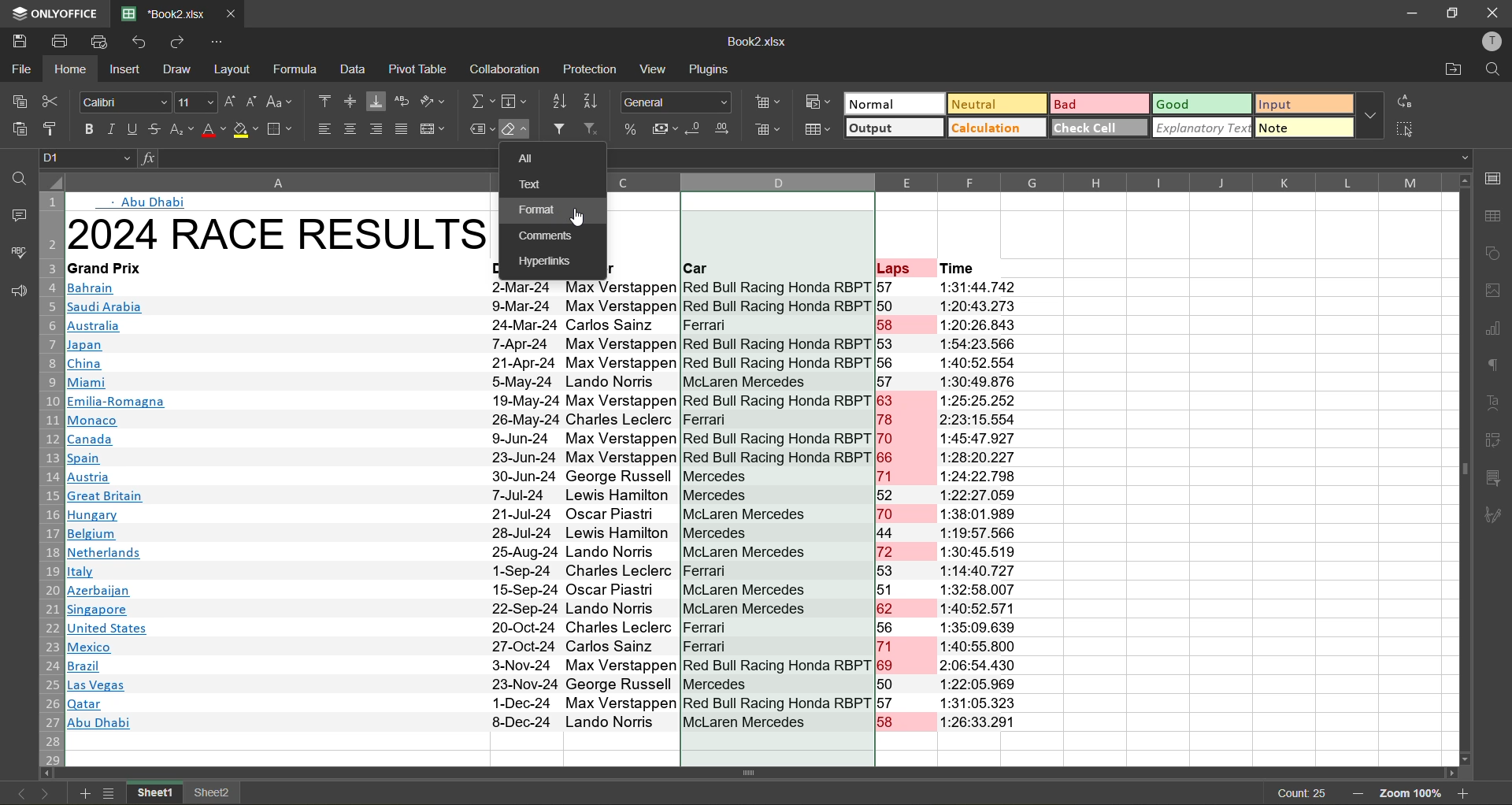 The image size is (1512, 805). What do you see at coordinates (51, 102) in the screenshot?
I see `cut` at bounding box center [51, 102].